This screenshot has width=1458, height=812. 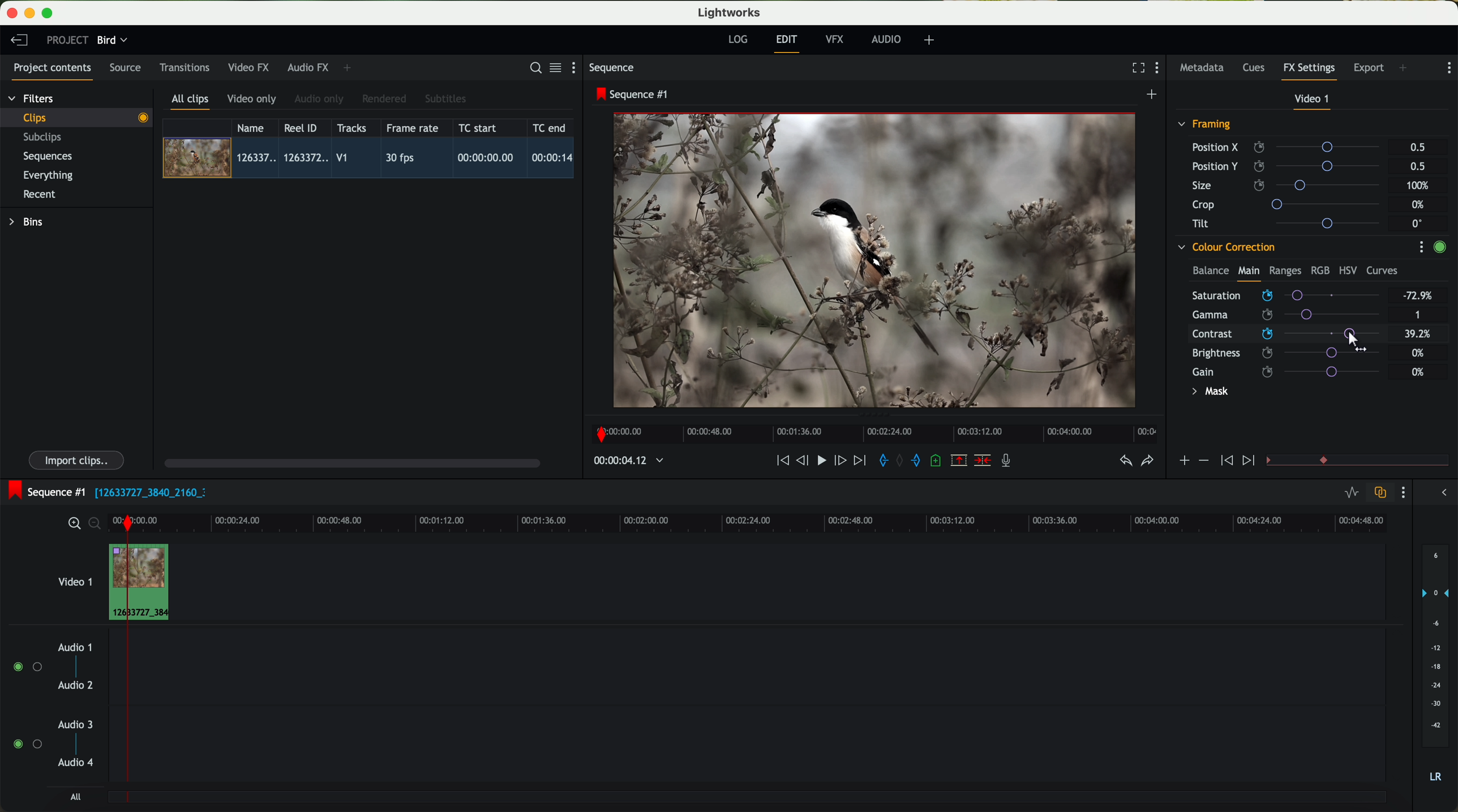 What do you see at coordinates (1417, 166) in the screenshot?
I see `0.5` at bounding box center [1417, 166].